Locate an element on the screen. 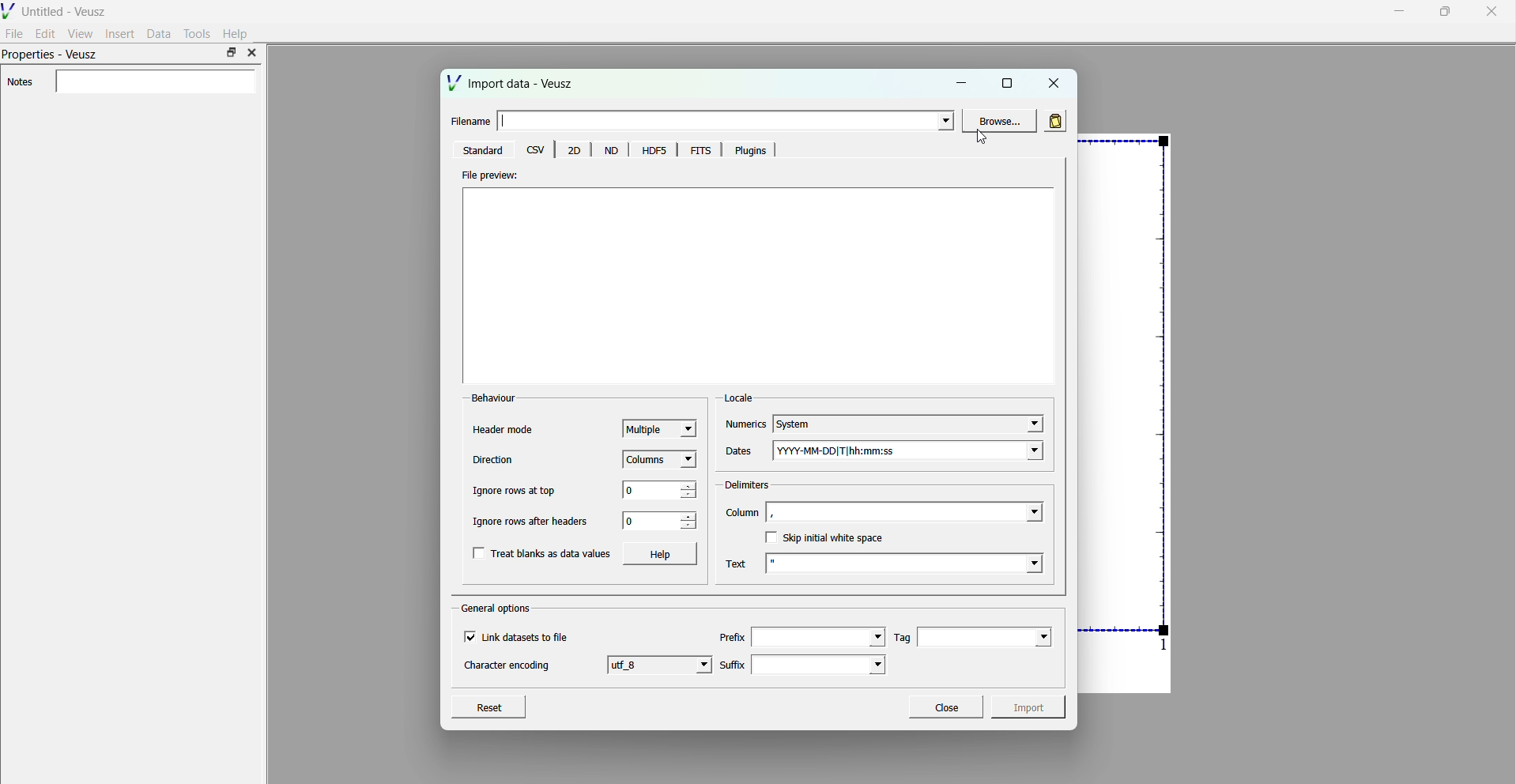 Image resolution: width=1516 pixels, height=784 pixels. checkbox is located at coordinates (770, 537).